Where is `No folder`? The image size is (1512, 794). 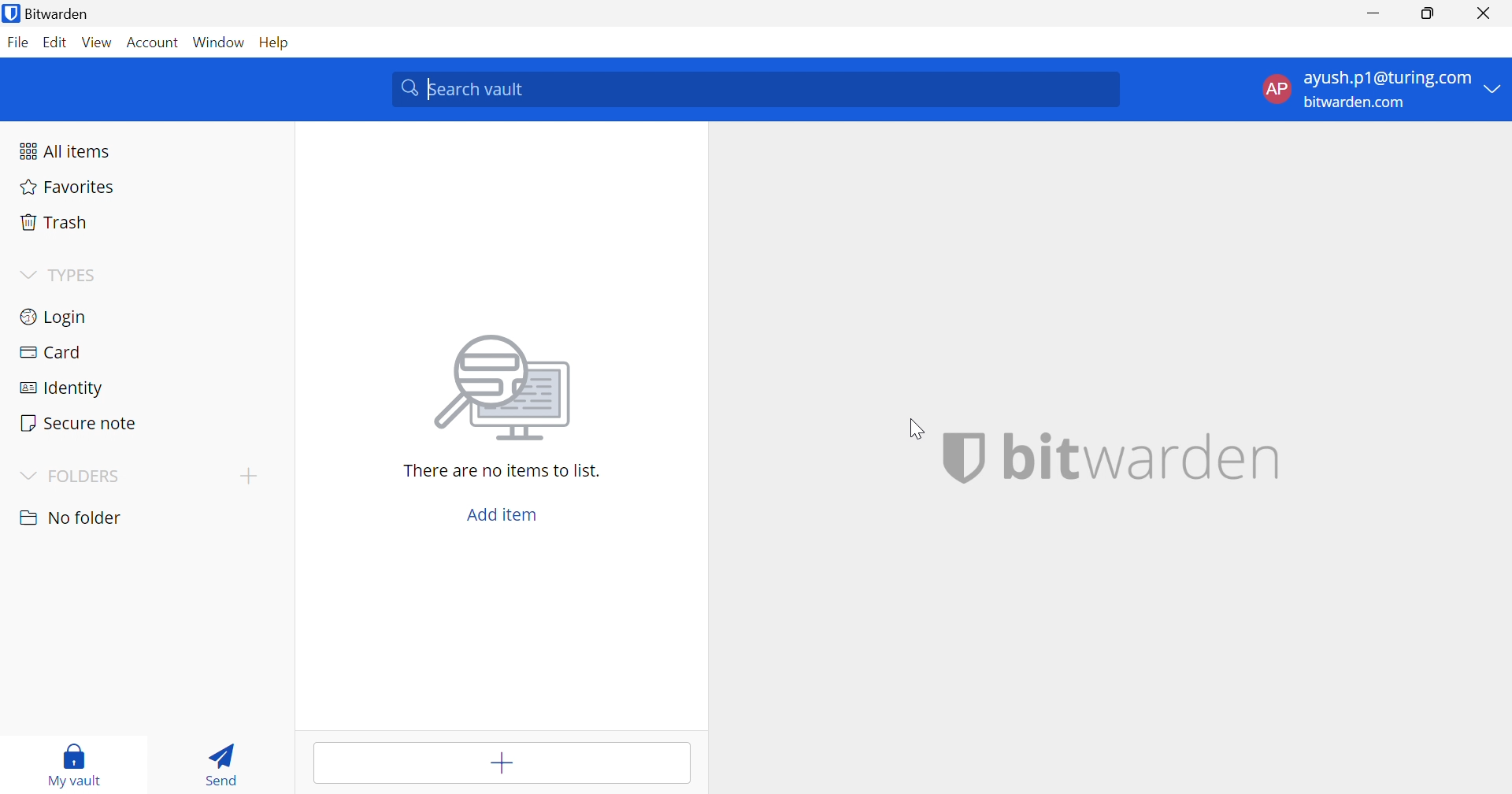
No folder is located at coordinates (73, 518).